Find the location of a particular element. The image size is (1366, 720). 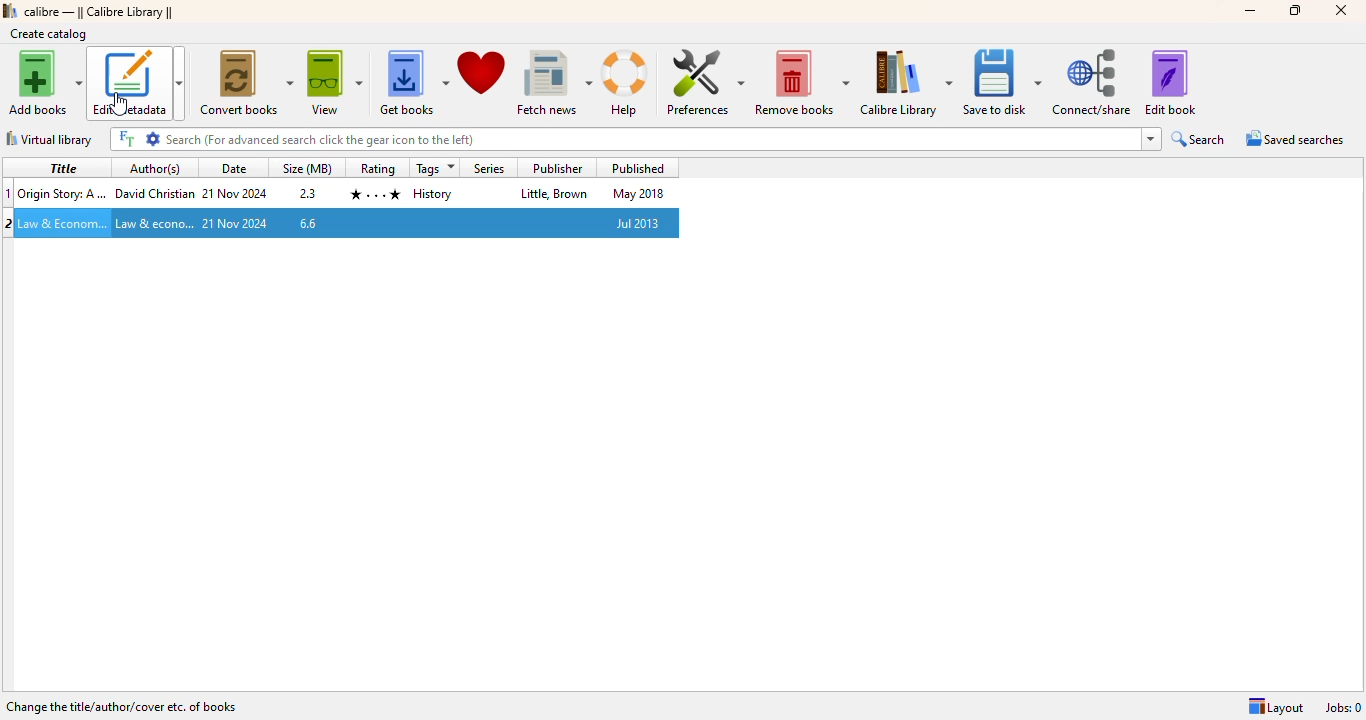

maximize is located at coordinates (1296, 10).